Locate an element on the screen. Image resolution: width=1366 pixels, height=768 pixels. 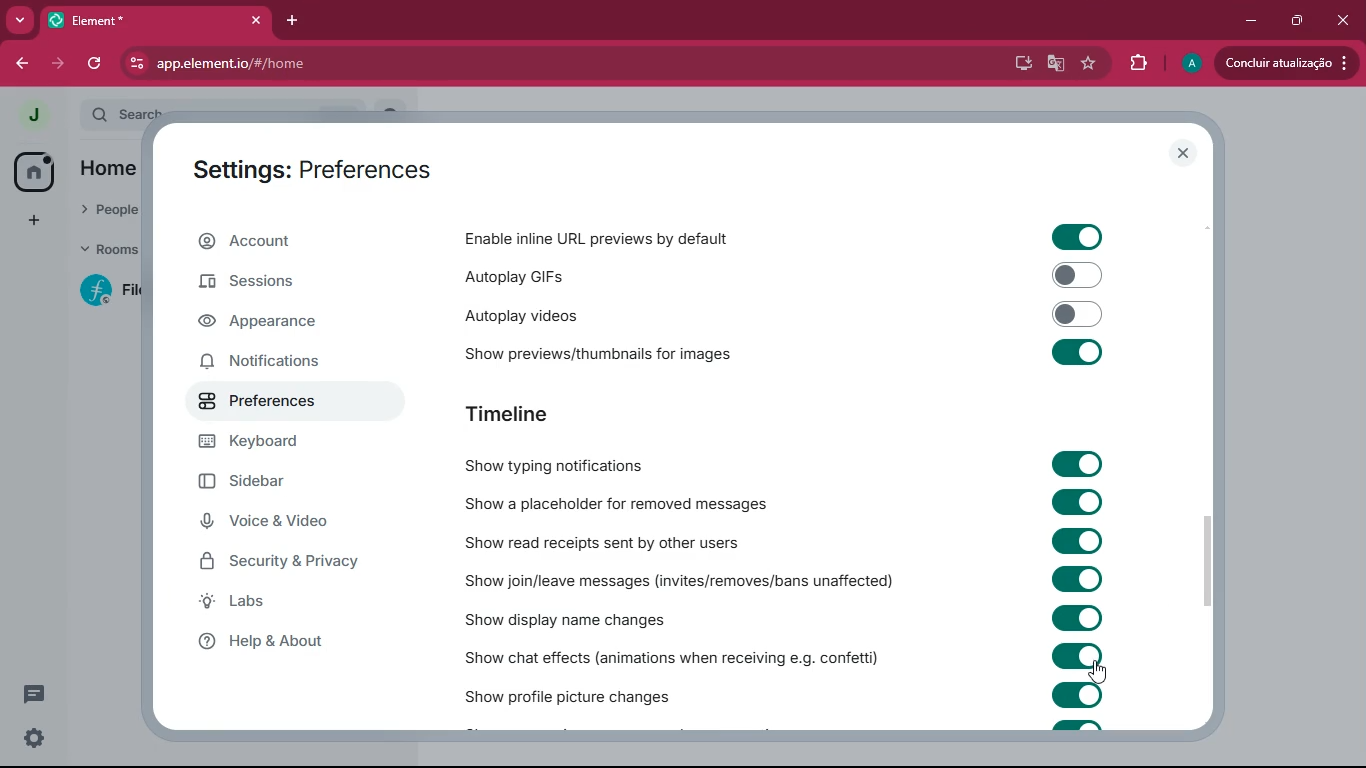
profile picture is located at coordinates (1189, 64).